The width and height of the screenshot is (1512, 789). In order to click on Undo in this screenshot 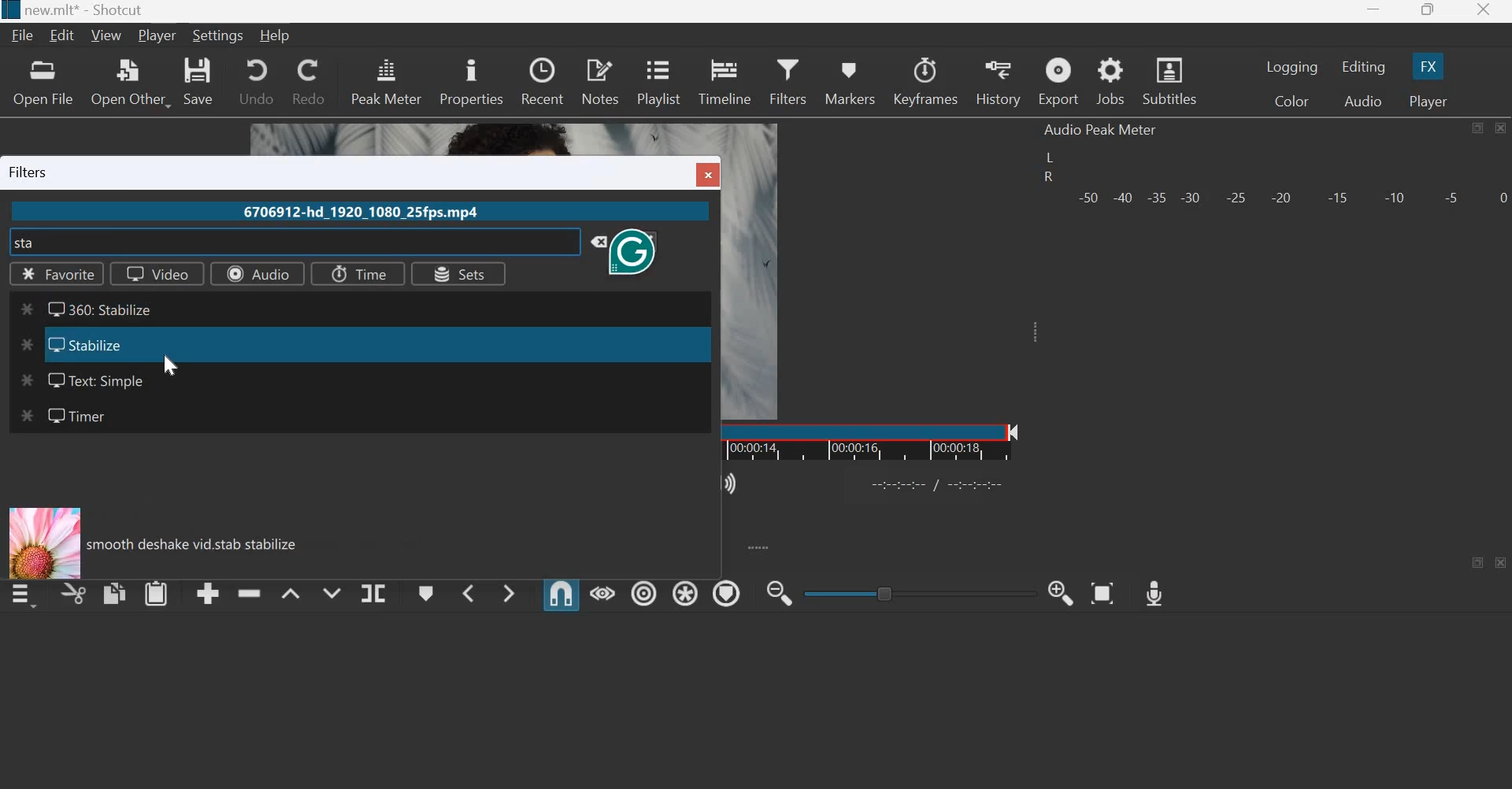, I will do `click(254, 82)`.